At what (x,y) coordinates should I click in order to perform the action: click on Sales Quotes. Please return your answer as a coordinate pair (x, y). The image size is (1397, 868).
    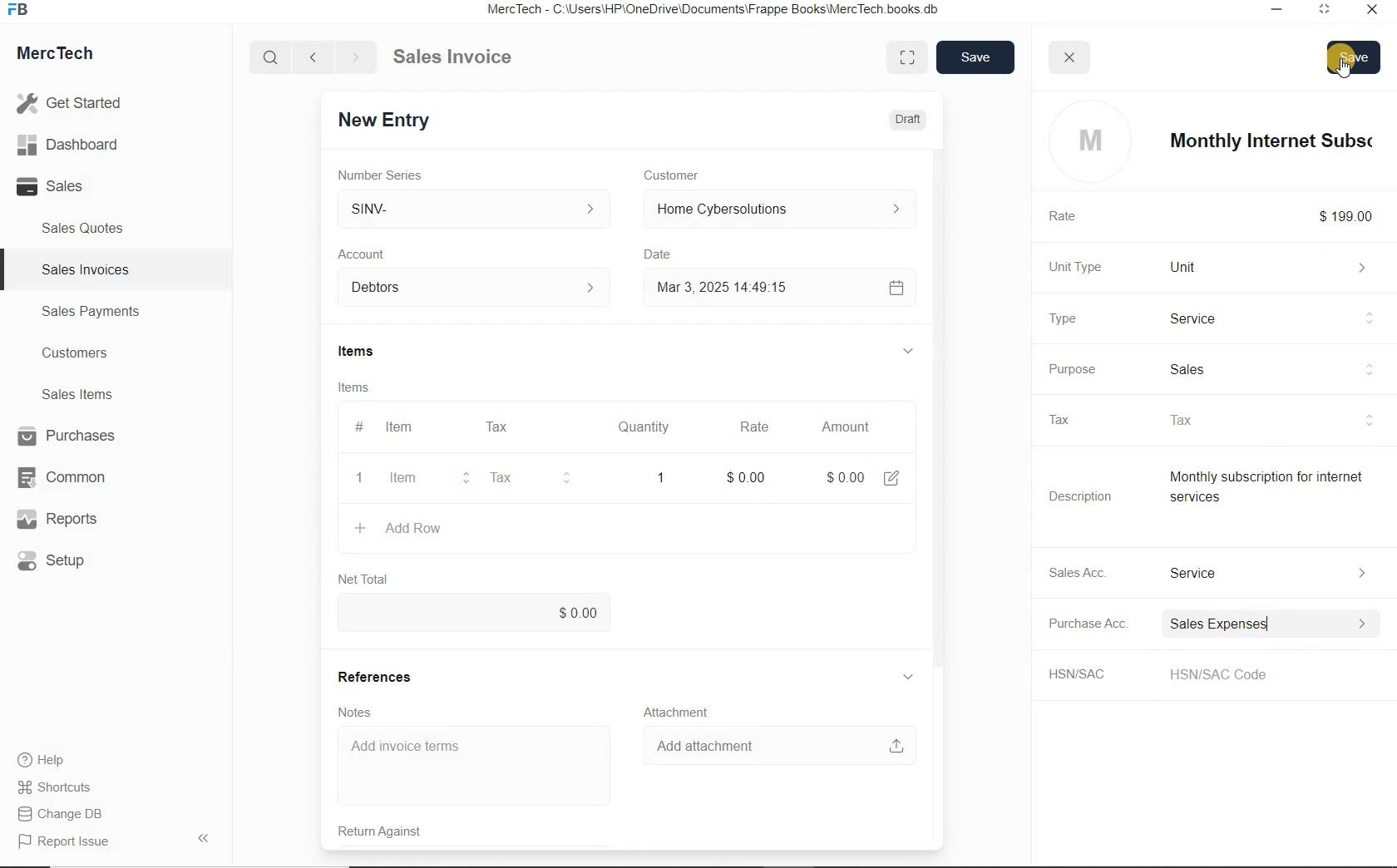
    Looking at the image, I should click on (86, 228).